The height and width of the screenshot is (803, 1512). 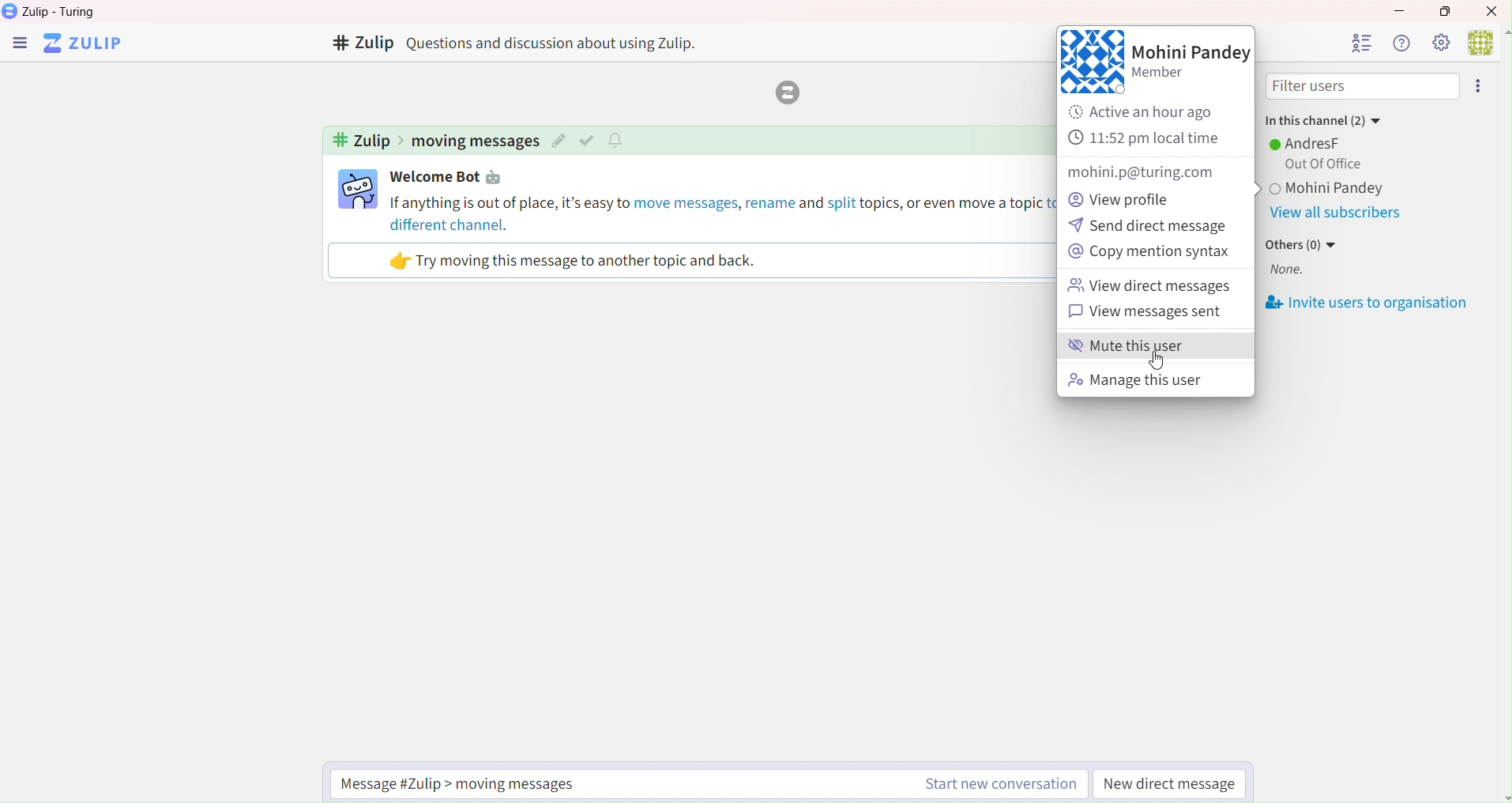 I want to click on # Zulip, so click(x=361, y=44).